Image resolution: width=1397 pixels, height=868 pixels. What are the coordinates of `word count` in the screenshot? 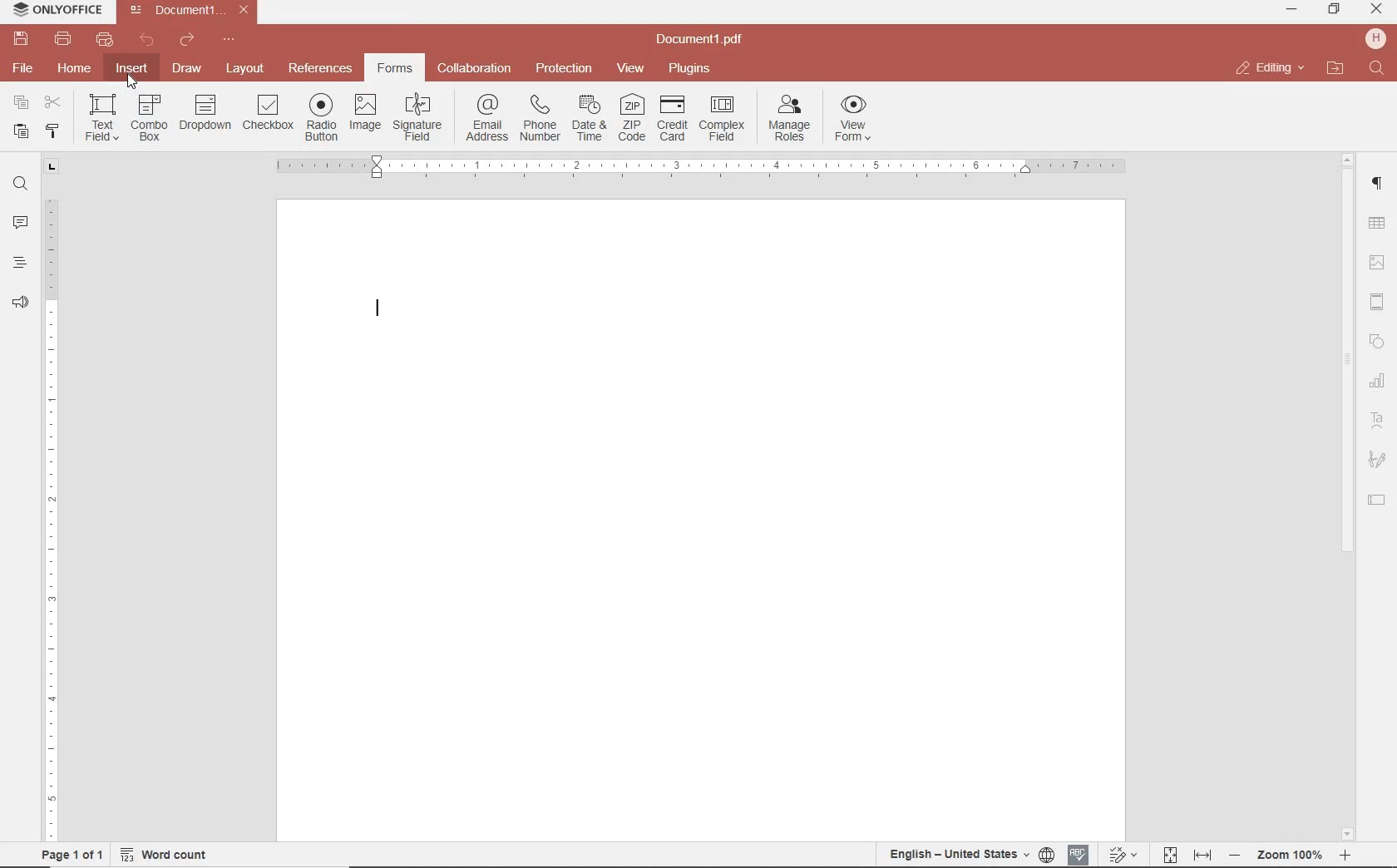 It's located at (170, 855).